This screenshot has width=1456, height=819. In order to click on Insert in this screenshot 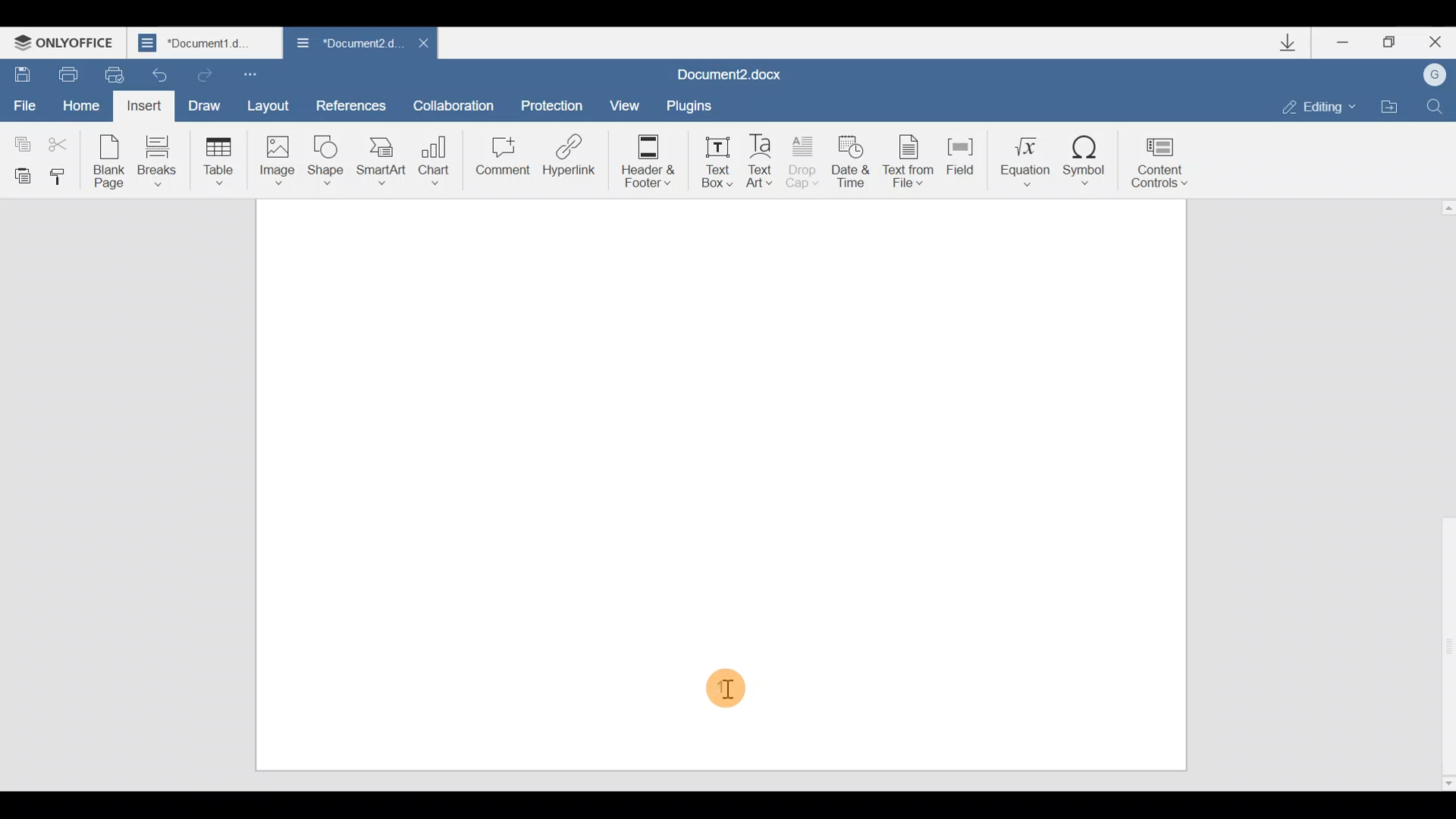, I will do `click(145, 106)`.